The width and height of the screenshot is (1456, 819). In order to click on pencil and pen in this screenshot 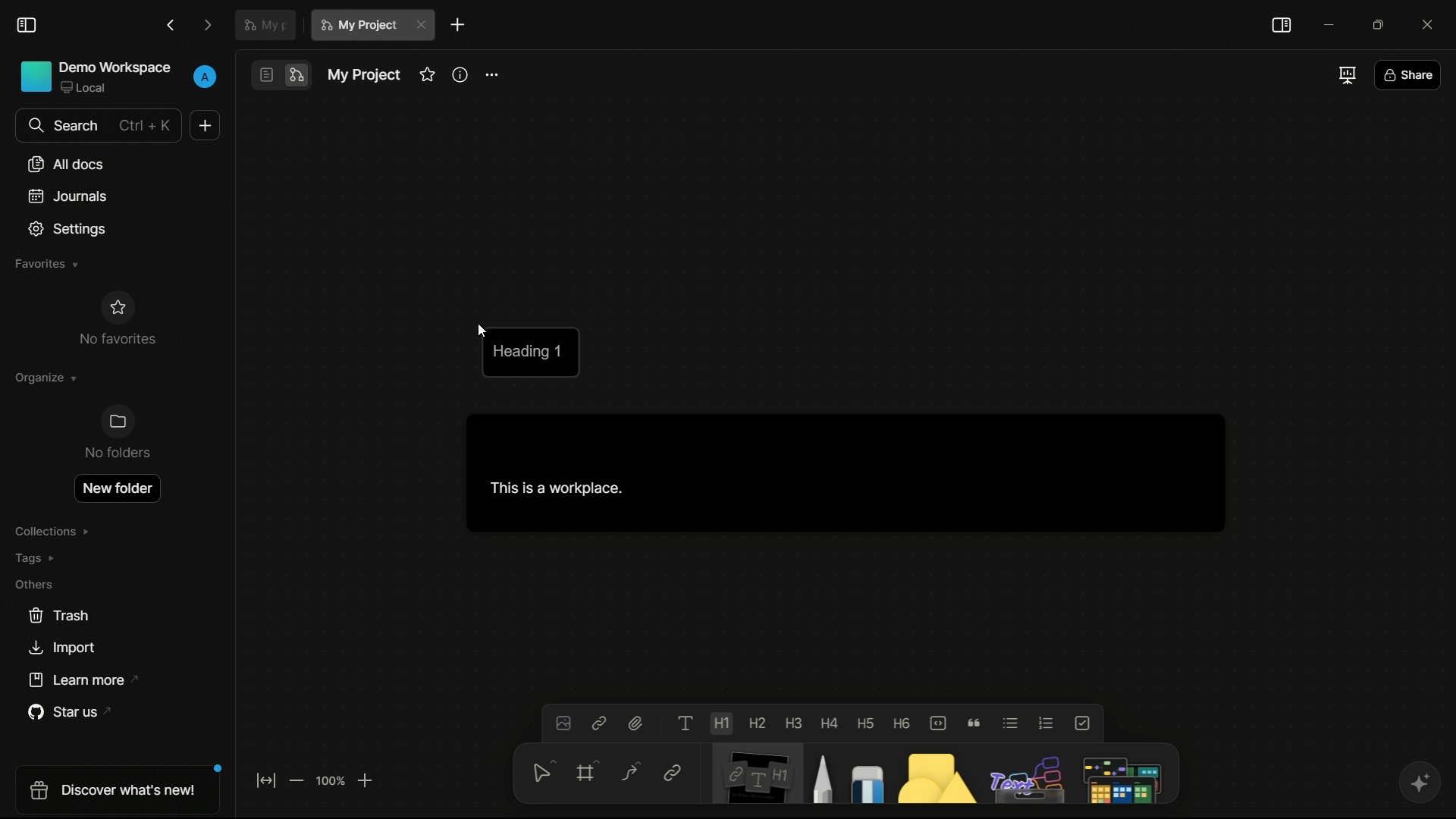, I will do `click(821, 775)`.